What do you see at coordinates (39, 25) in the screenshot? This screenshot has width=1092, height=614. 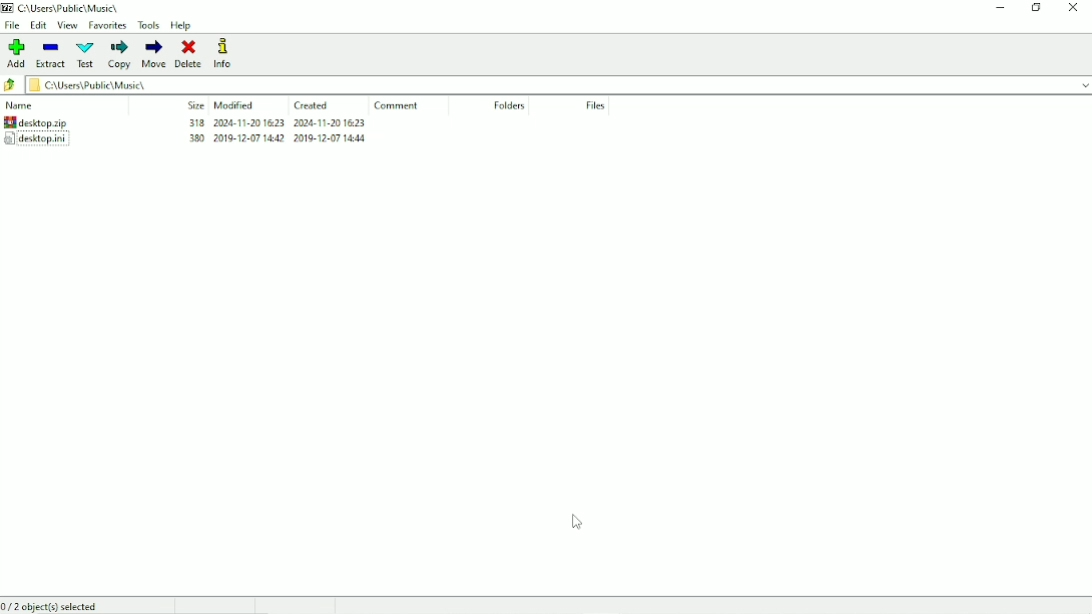 I see `Edit` at bounding box center [39, 25].